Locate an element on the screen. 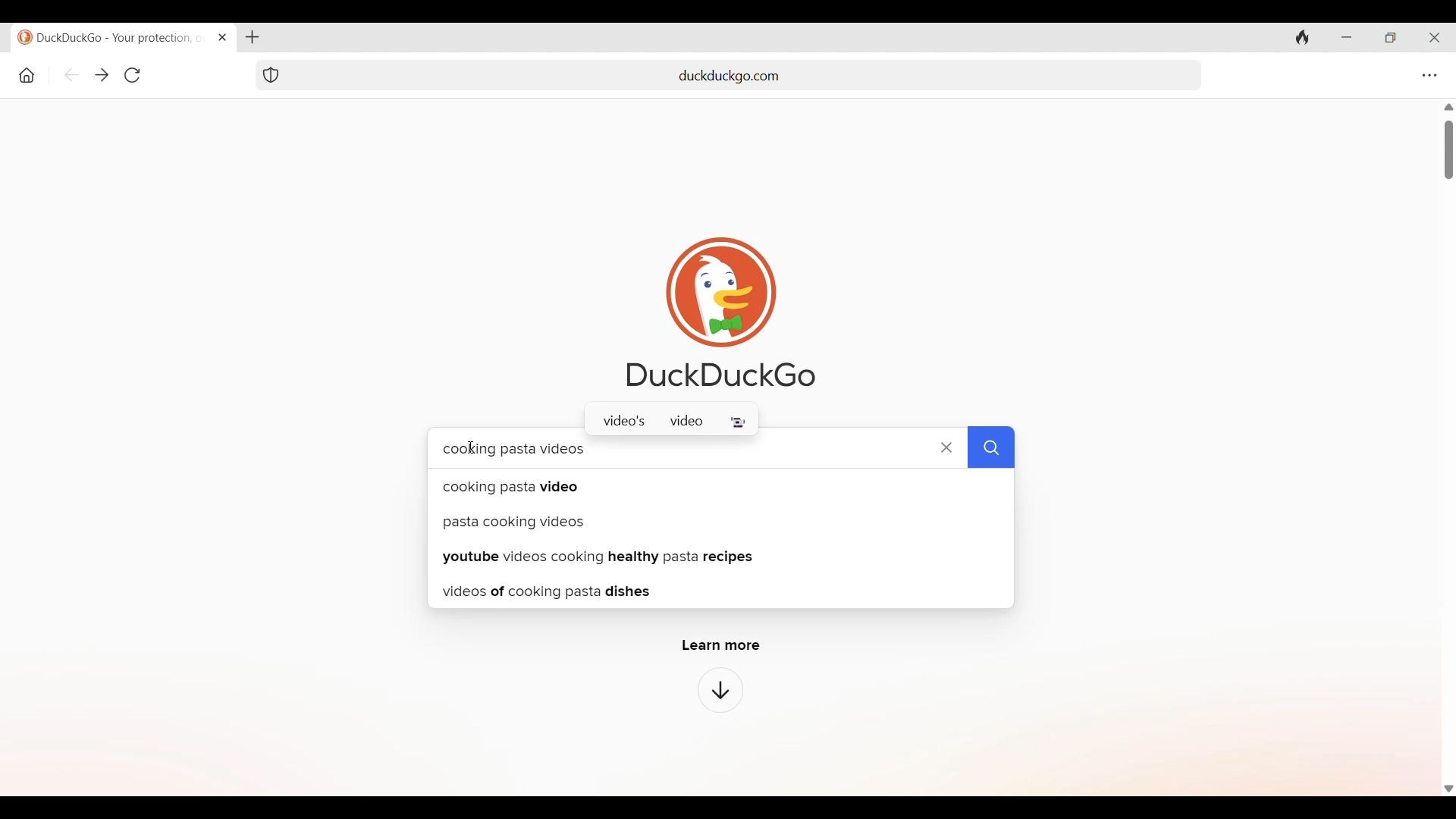 The height and width of the screenshot is (819, 1456). Cooking pasta video is located at coordinates (718, 485).